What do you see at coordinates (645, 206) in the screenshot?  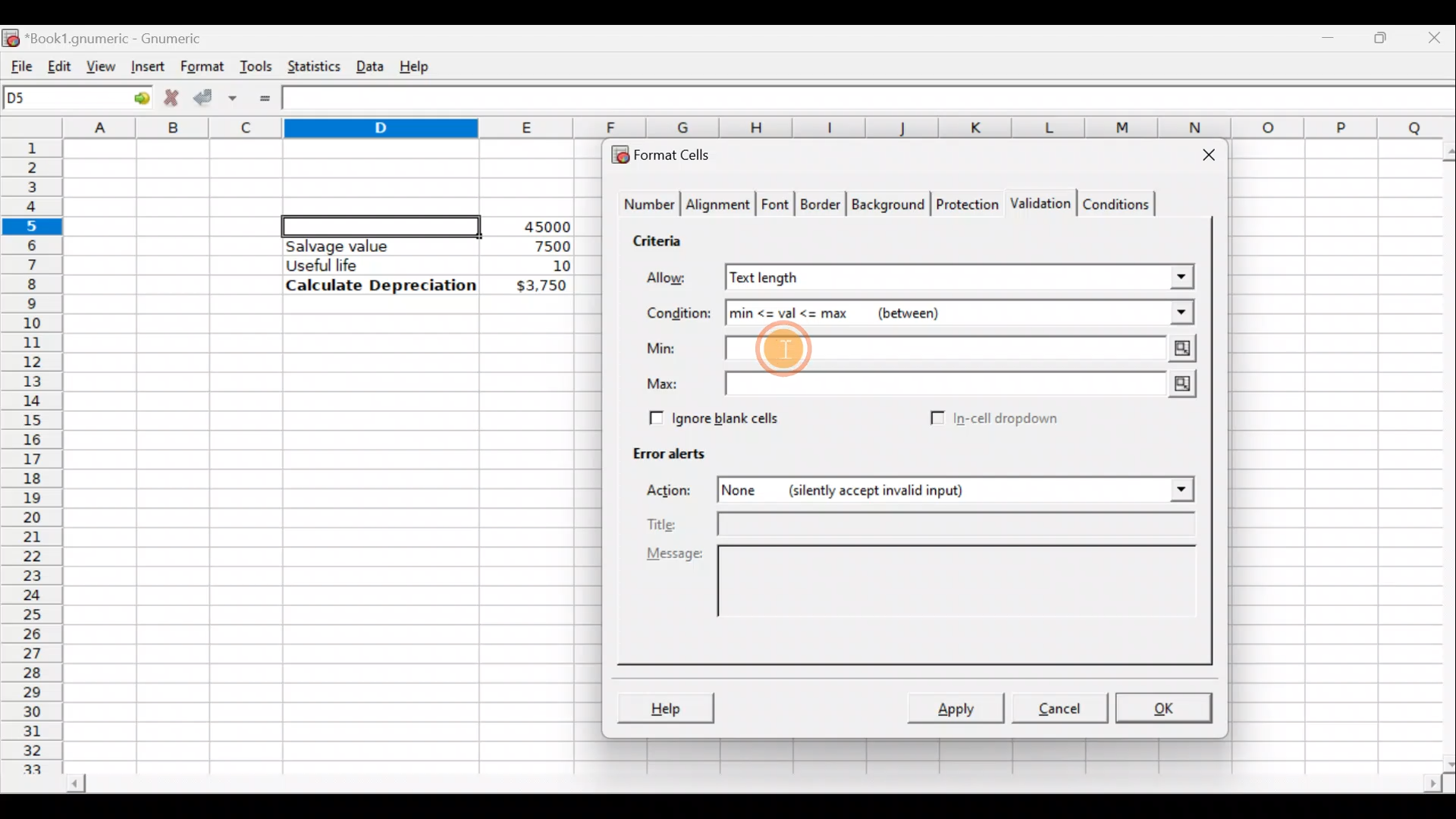 I see `Number` at bounding box center [645, 206].